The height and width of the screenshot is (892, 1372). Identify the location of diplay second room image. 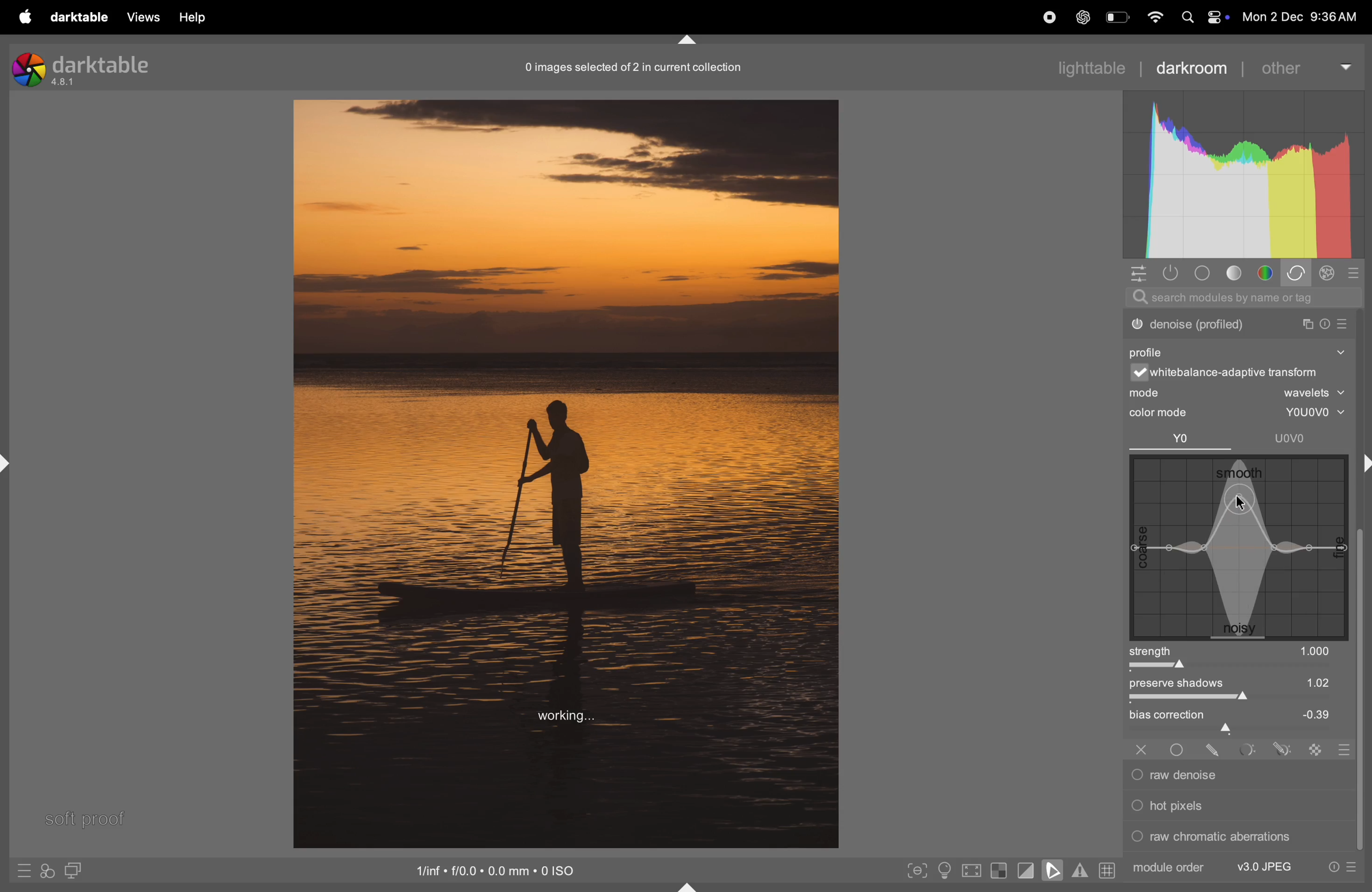
(78, 872).